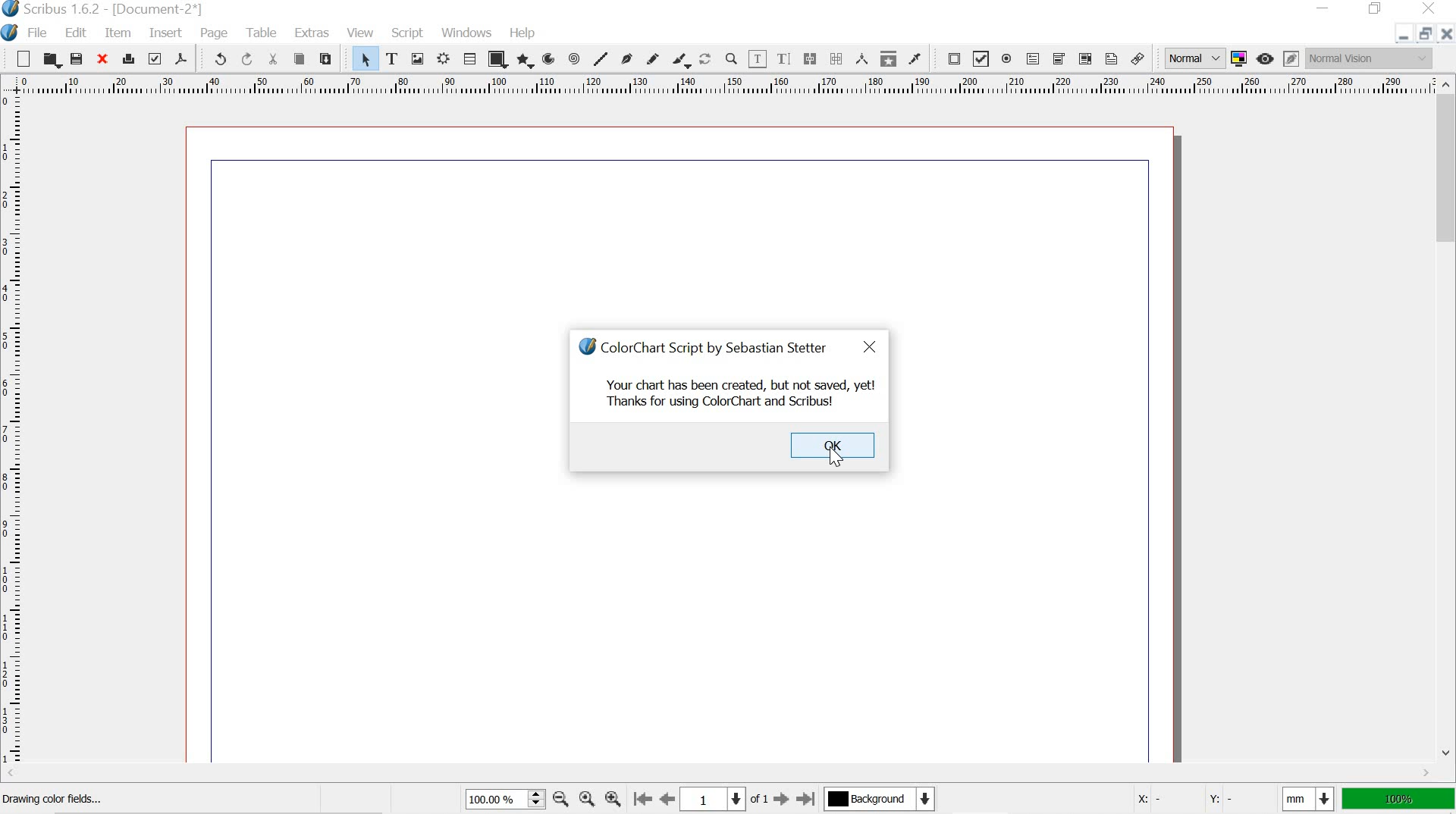  Describe the element at coordinates (640, 798) in the screenshot. I see `First page` at that location.